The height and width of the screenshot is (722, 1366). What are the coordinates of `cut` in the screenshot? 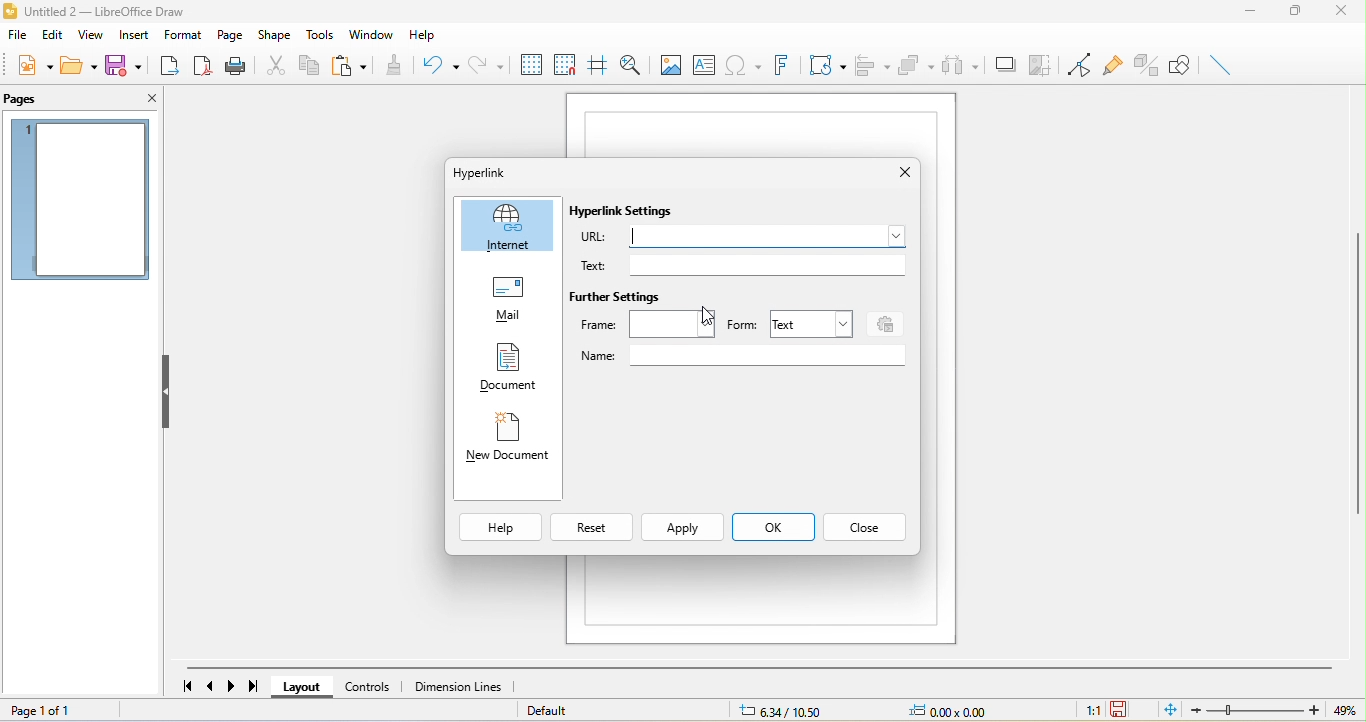 It's located at (272, 65).